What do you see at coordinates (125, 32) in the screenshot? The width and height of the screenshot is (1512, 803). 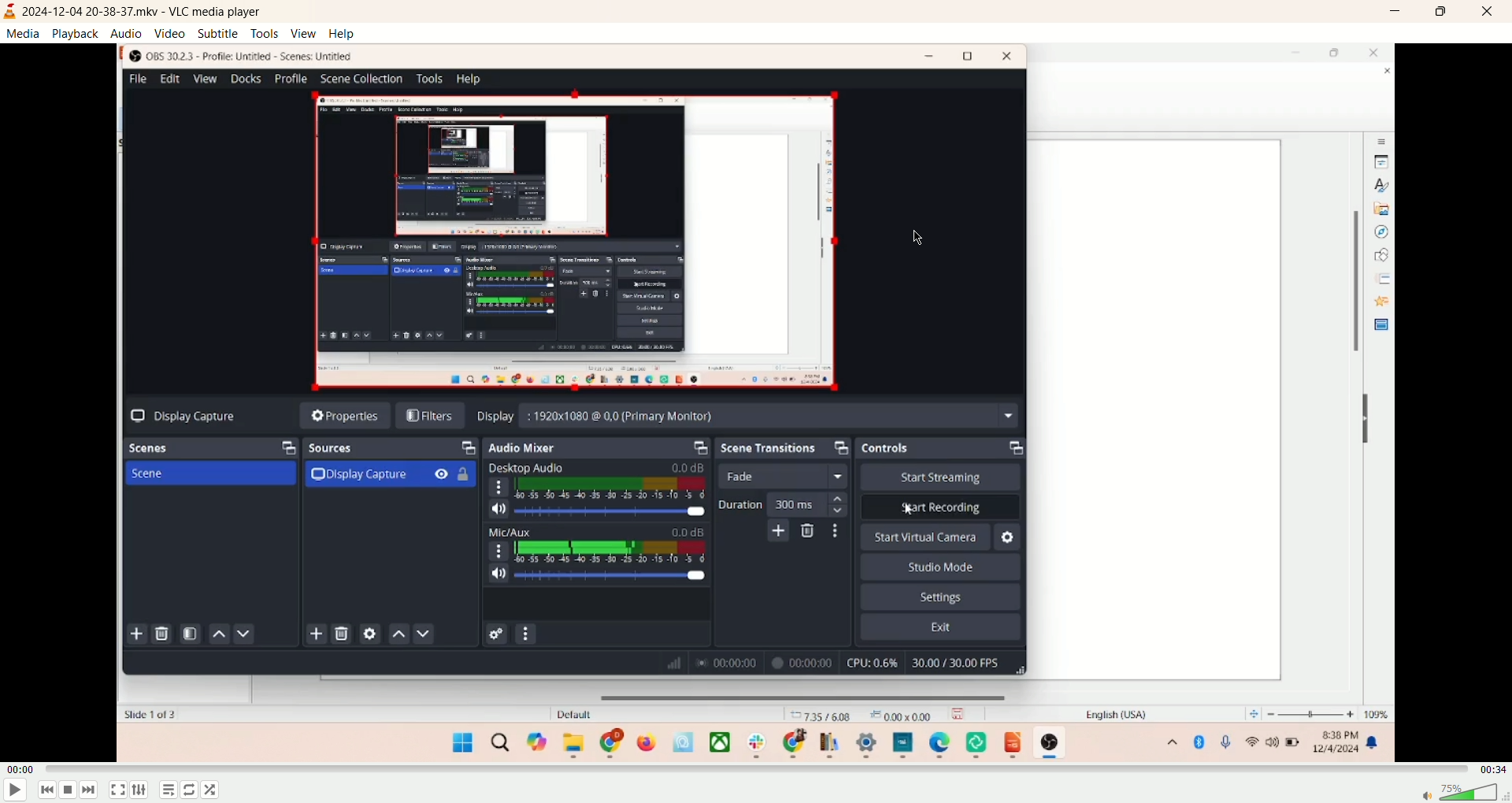 I see `audio` at bounding box center [125, 32].